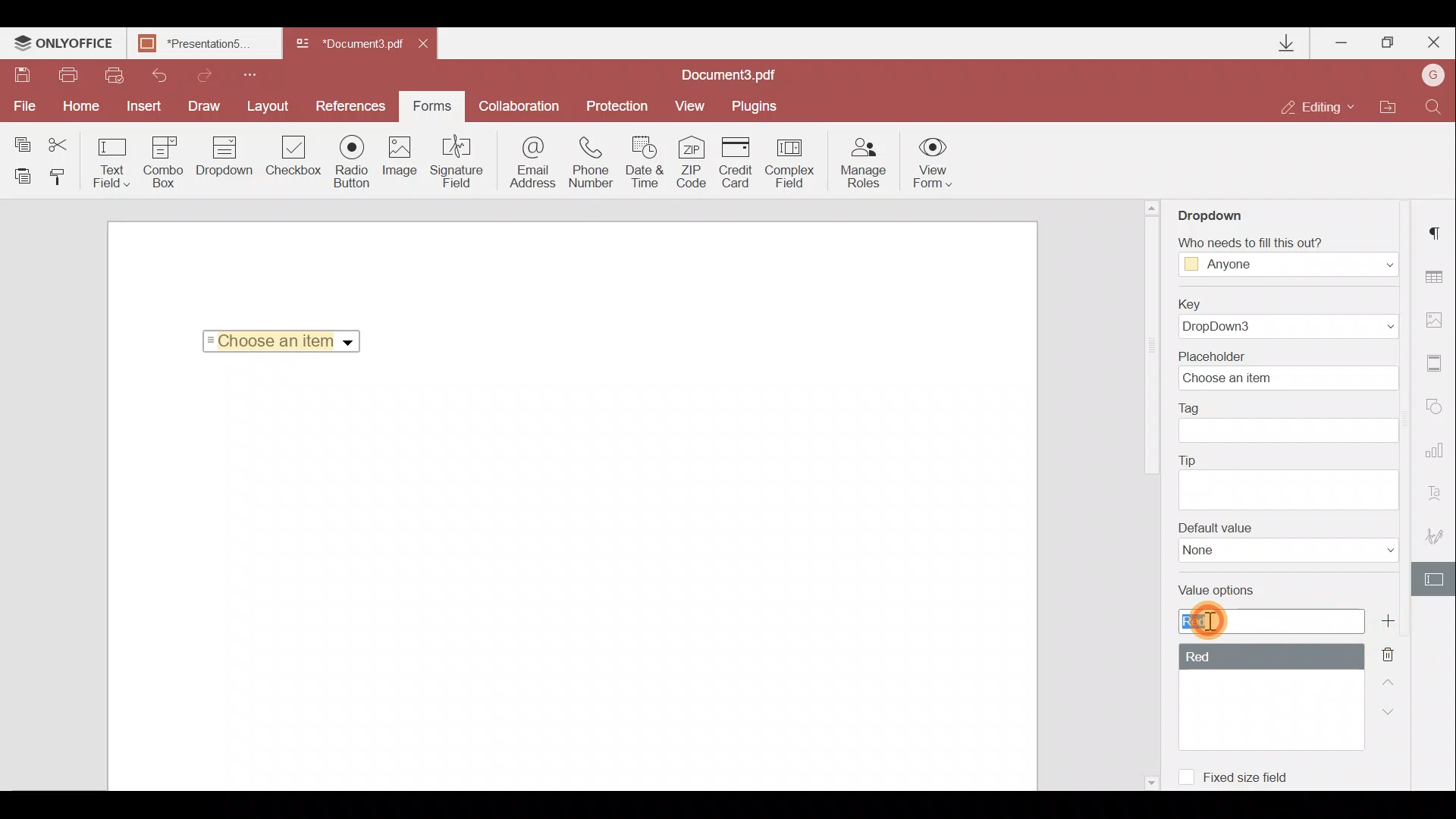 The width and height of the screenshot is (1456, 819). What do you see at coordinates (352, 106) in the screenshot?
I see `Preferences` at bounding box center [352, 106].